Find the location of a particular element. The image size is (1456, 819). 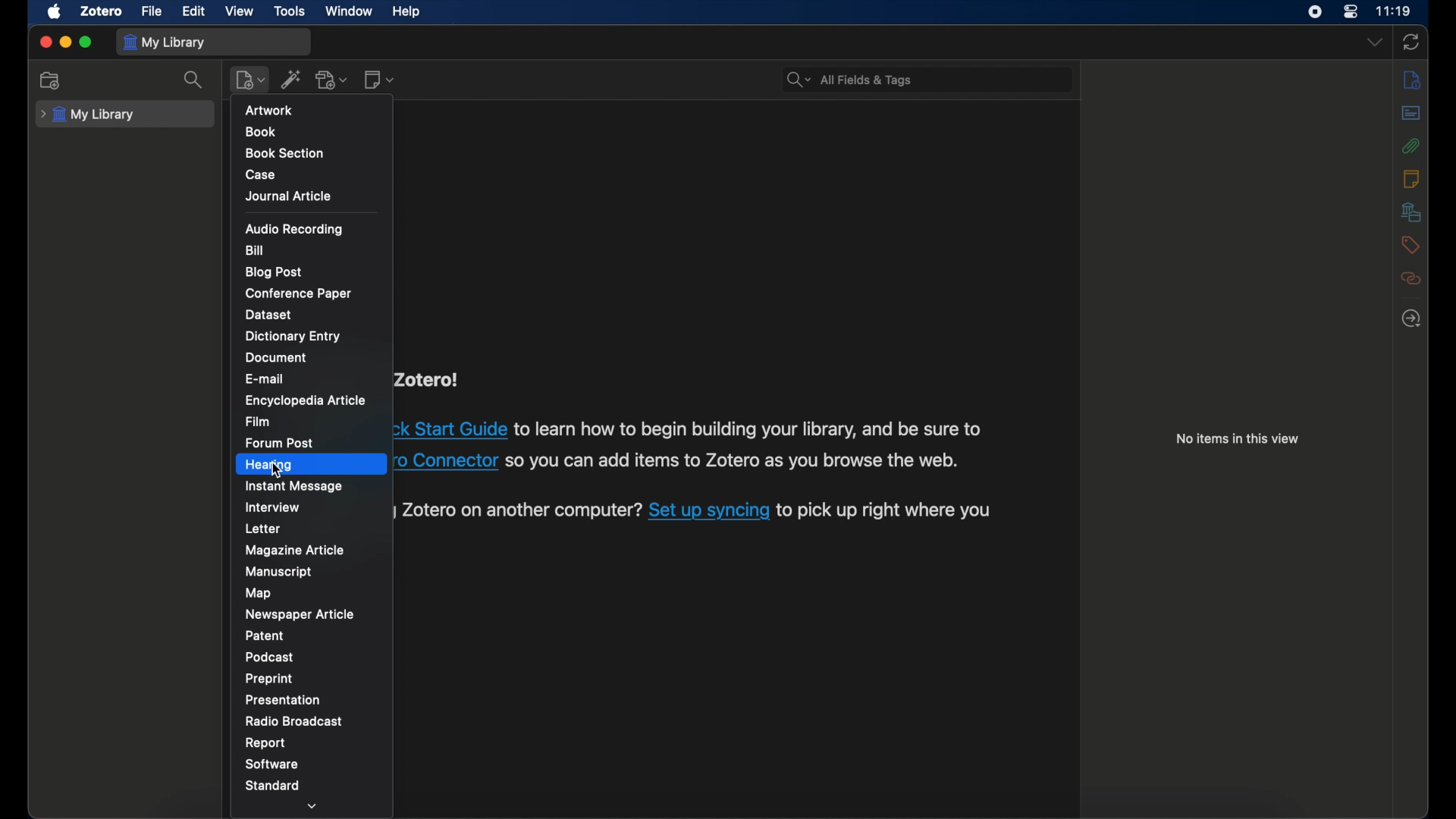

notes is located at coordinates (1410, 179).